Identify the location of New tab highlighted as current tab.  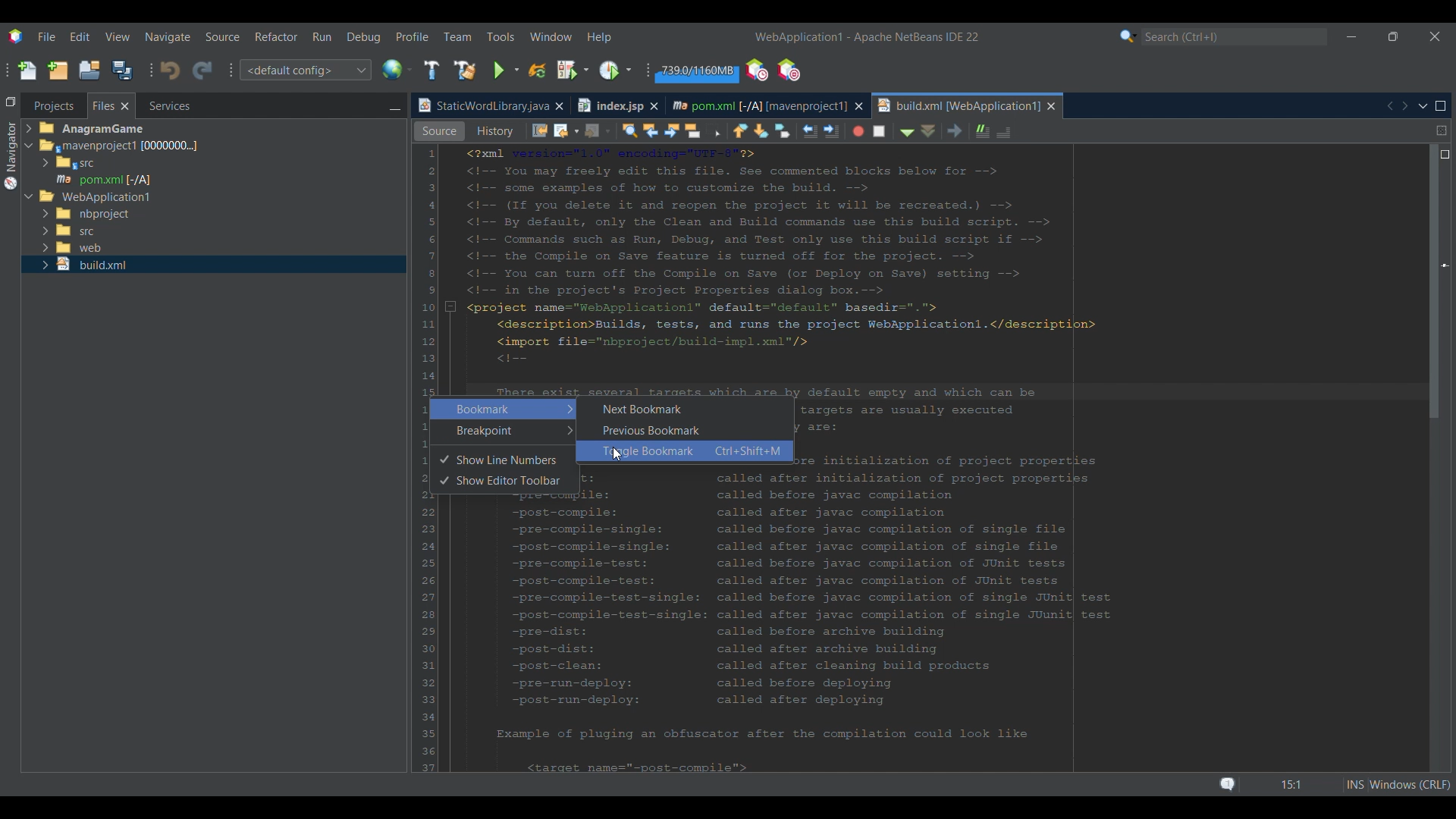
(958, 105).